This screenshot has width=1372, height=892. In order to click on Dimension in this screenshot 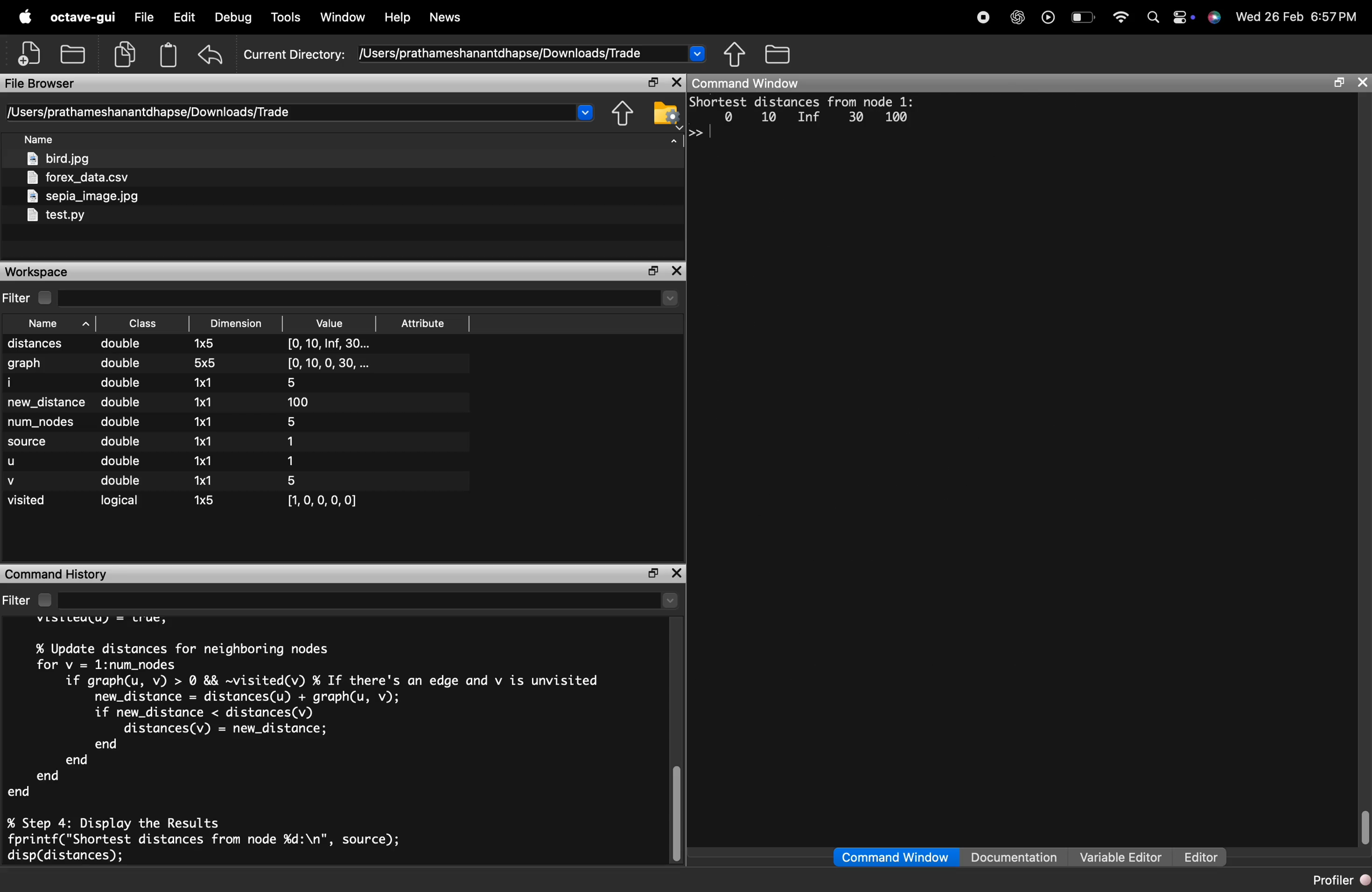, I will do `click(228, 423)`.